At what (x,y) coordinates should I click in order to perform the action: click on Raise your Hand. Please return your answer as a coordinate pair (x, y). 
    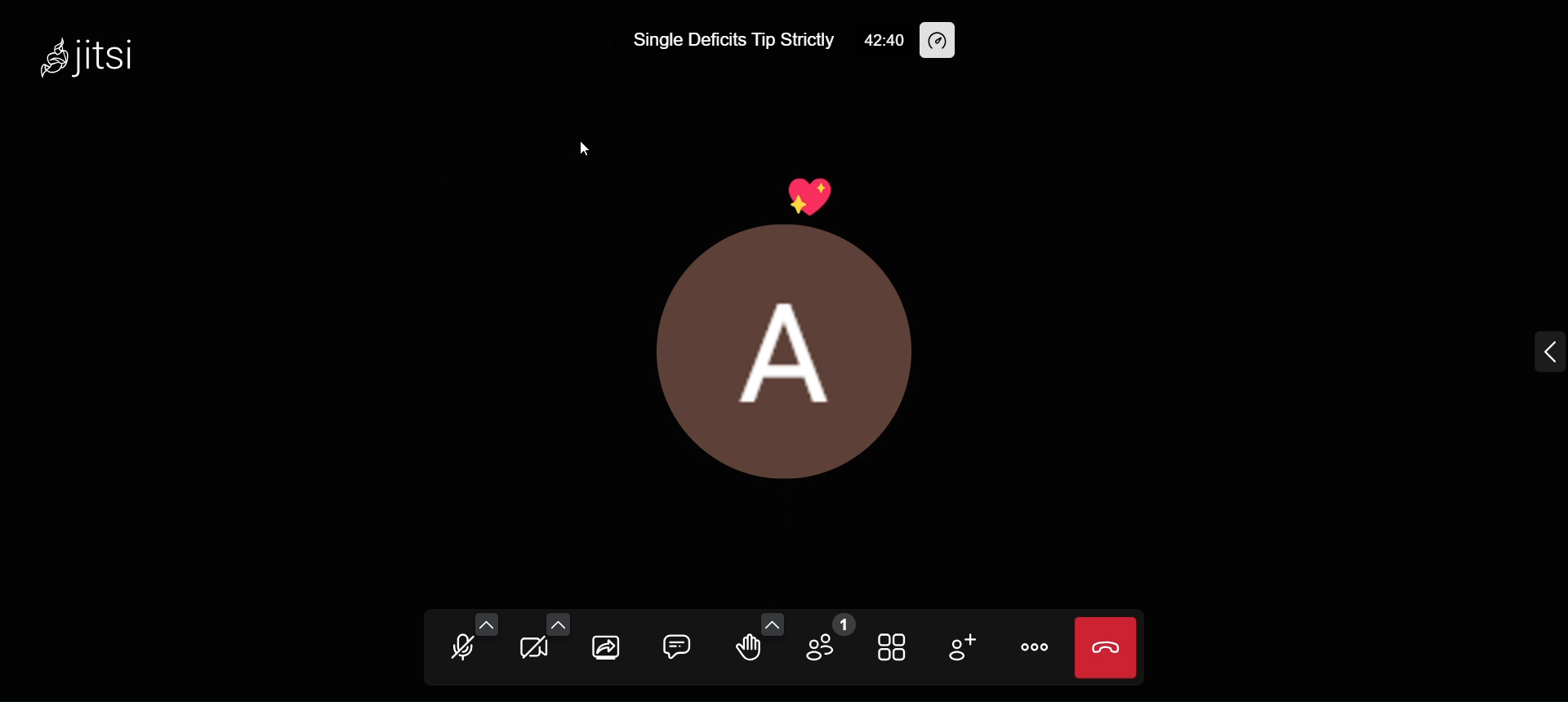
    Looking at the image, I should click on (748, 649).